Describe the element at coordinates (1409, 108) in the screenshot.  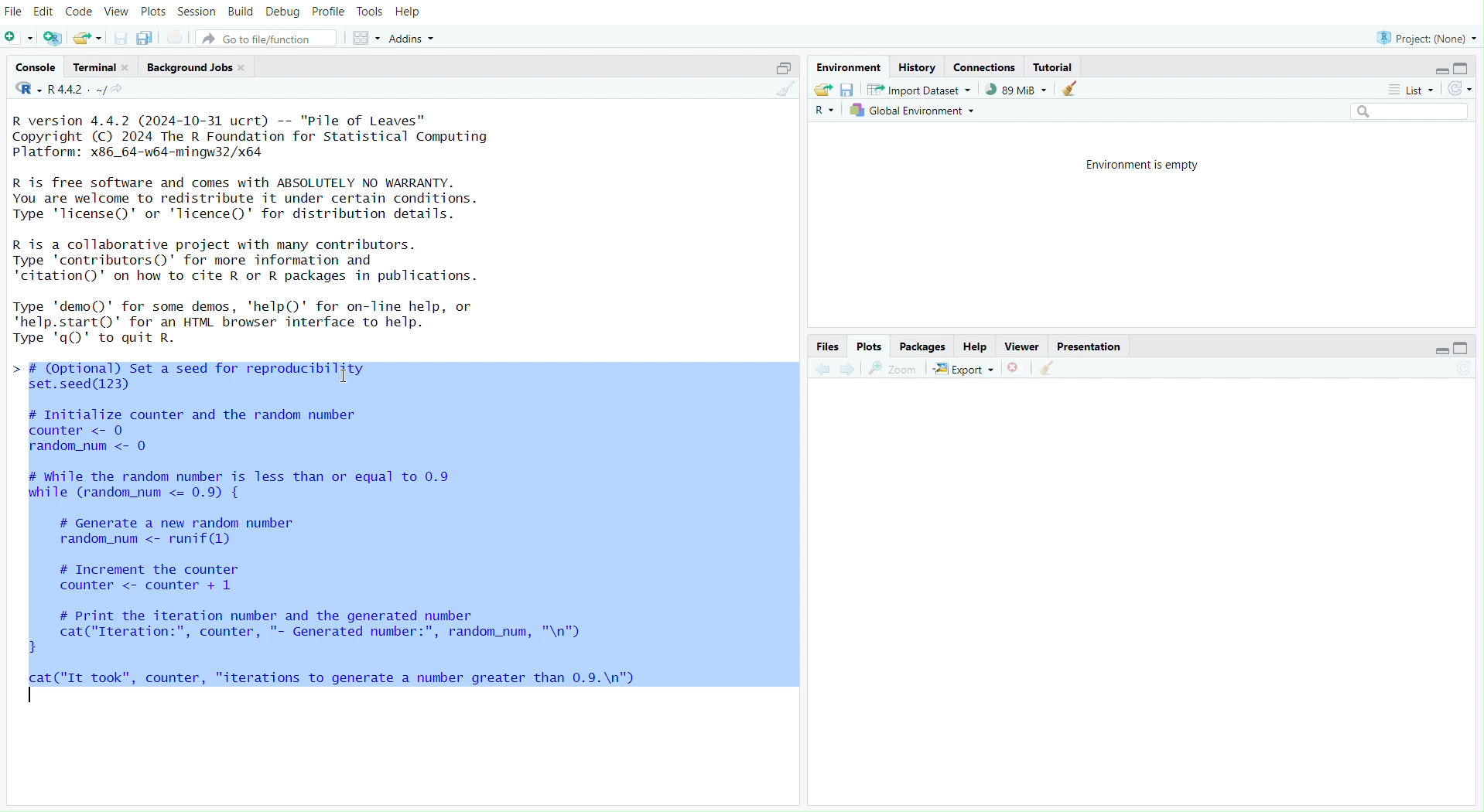
I see `Search bar` at that location.